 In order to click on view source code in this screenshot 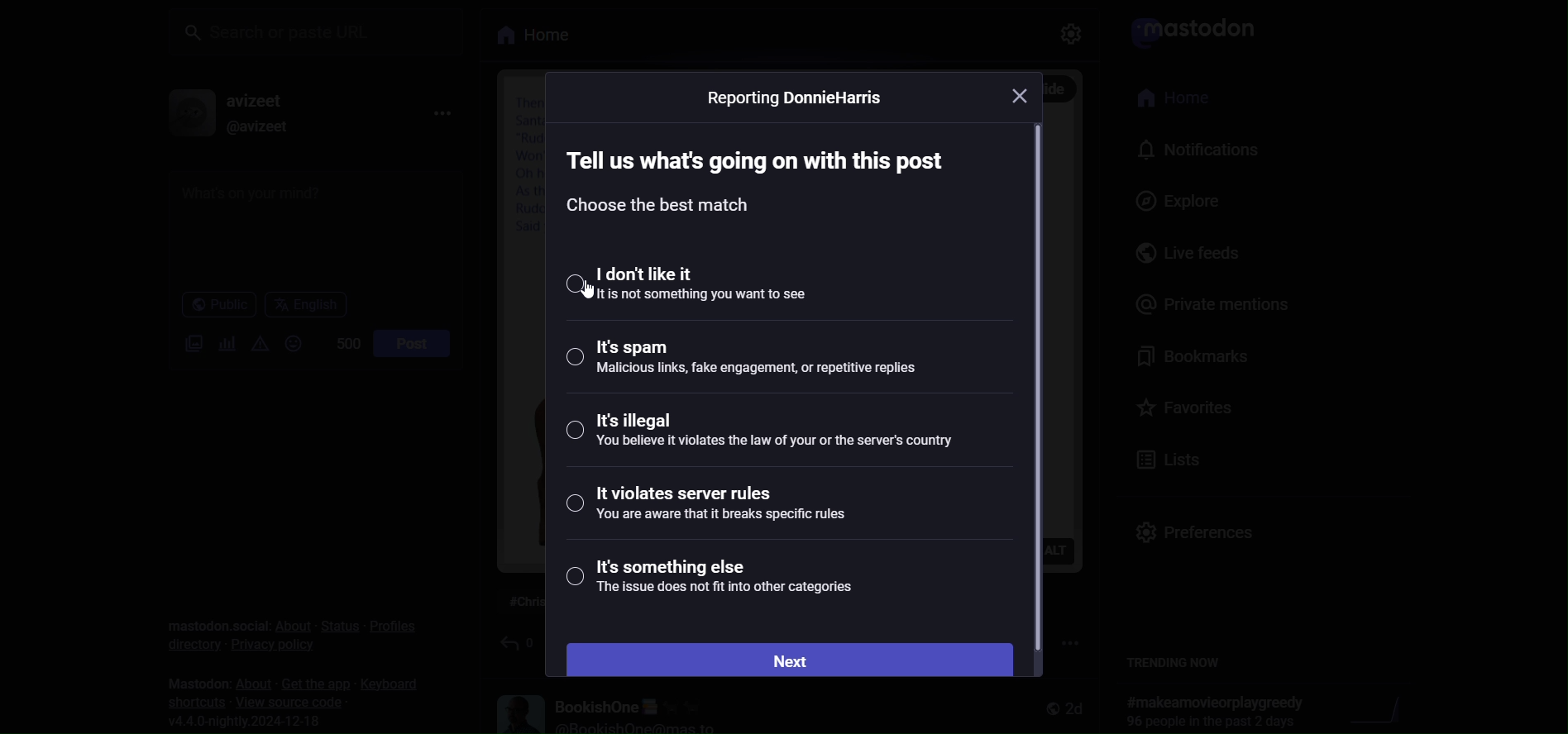, I will do `click(292, 702)`.